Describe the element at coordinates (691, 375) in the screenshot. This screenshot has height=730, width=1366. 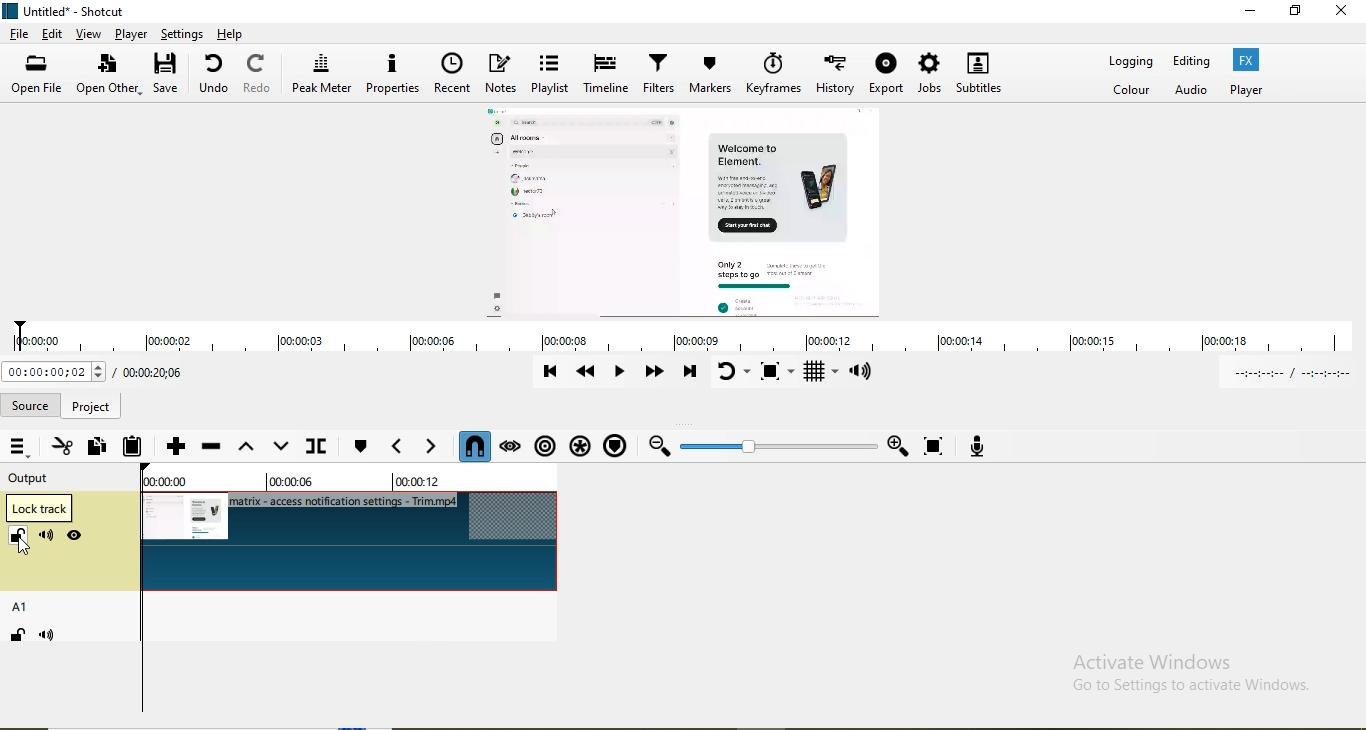
I see `Skip to the next point ` at that location.